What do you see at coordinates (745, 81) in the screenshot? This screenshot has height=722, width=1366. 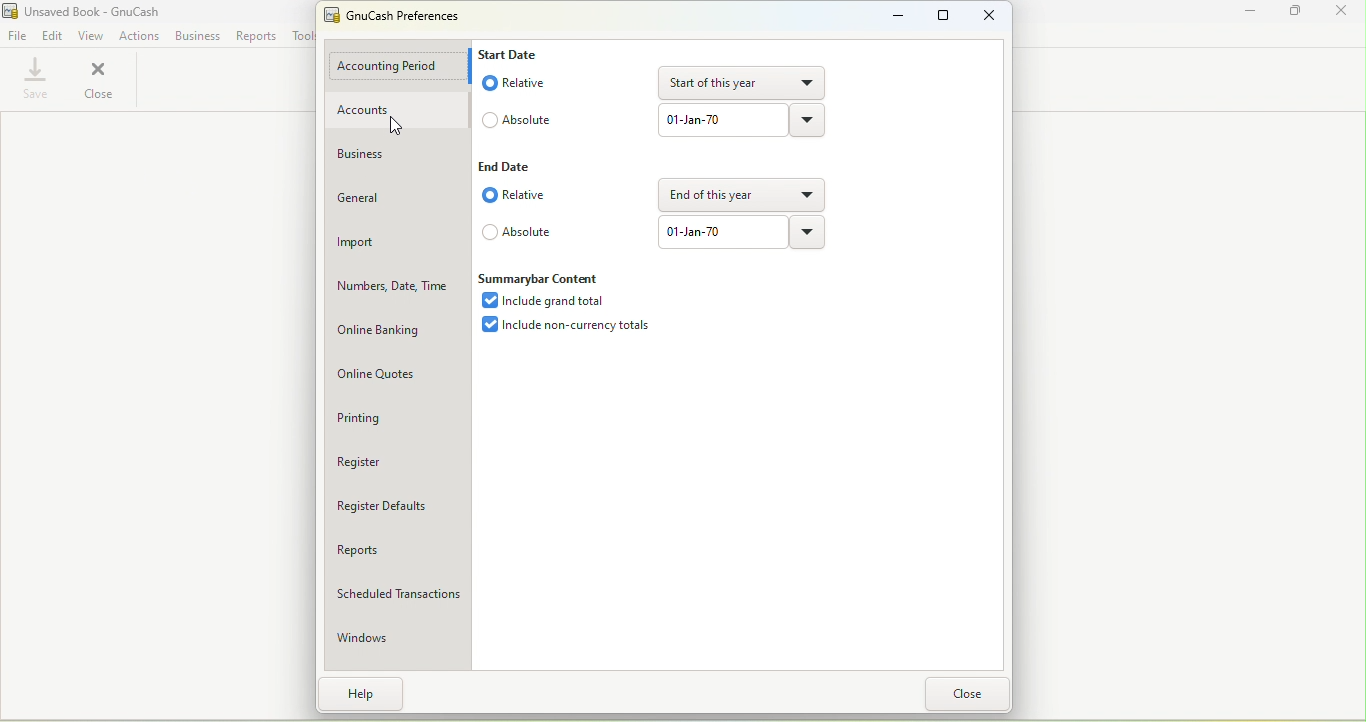 I see `start of this year` at bounding box center [745, 81].